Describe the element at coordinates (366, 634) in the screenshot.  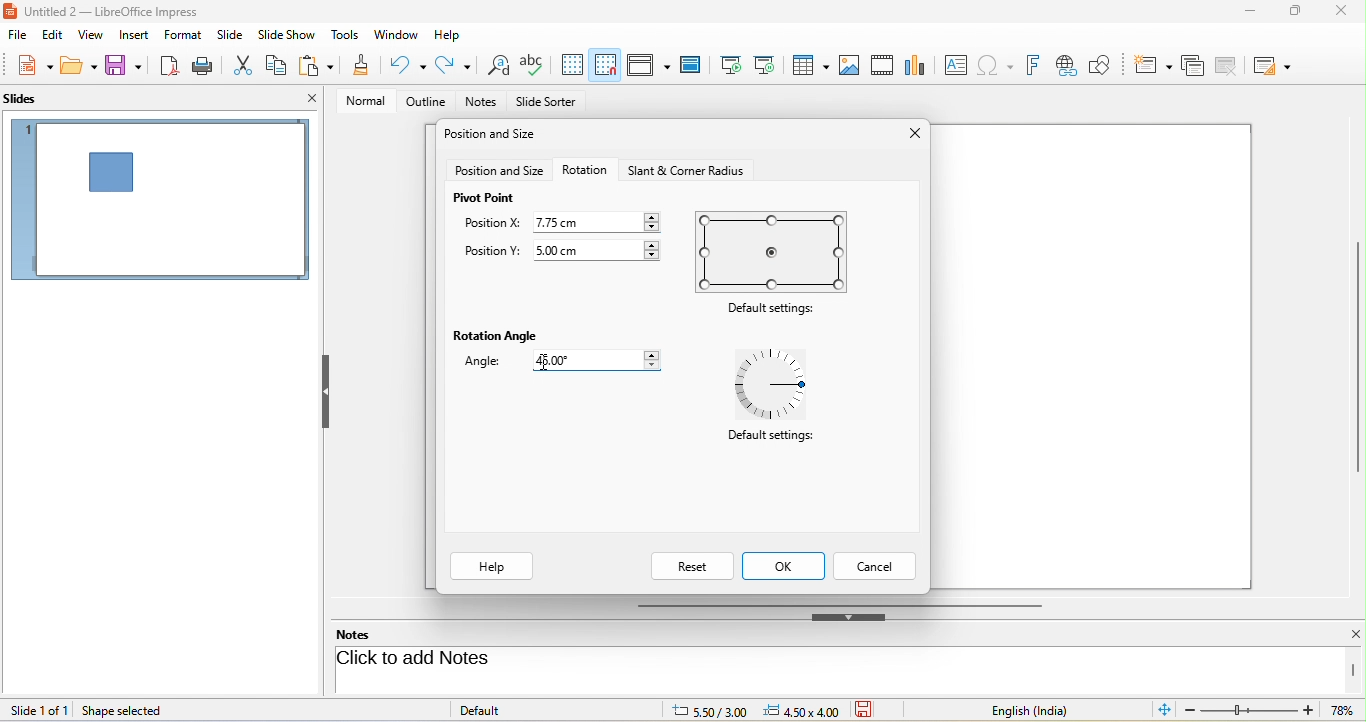
I see `notes` at that location.